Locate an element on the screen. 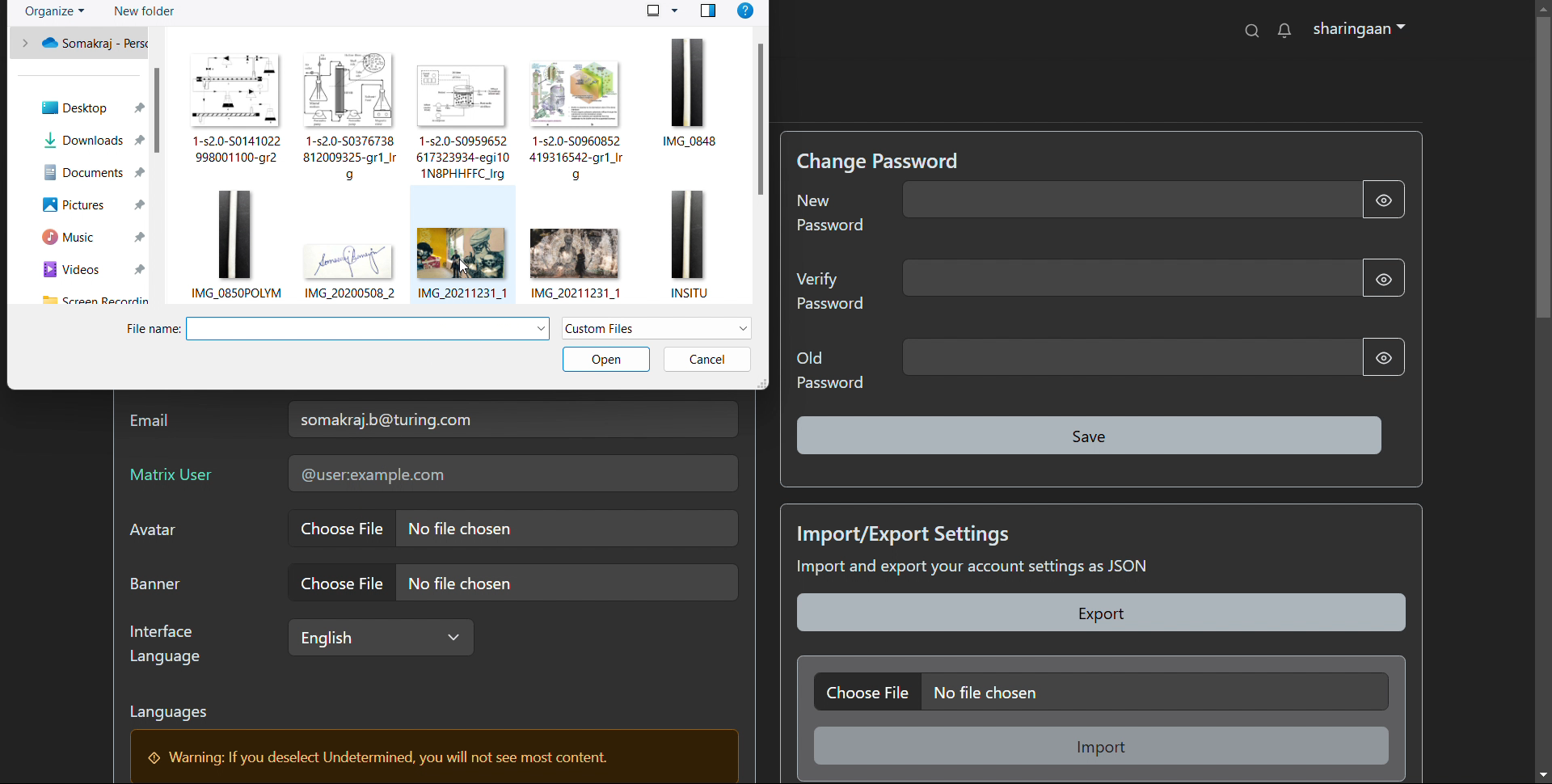 The image size is (1552, 784). select interface language is located at coordinates (378, 637).